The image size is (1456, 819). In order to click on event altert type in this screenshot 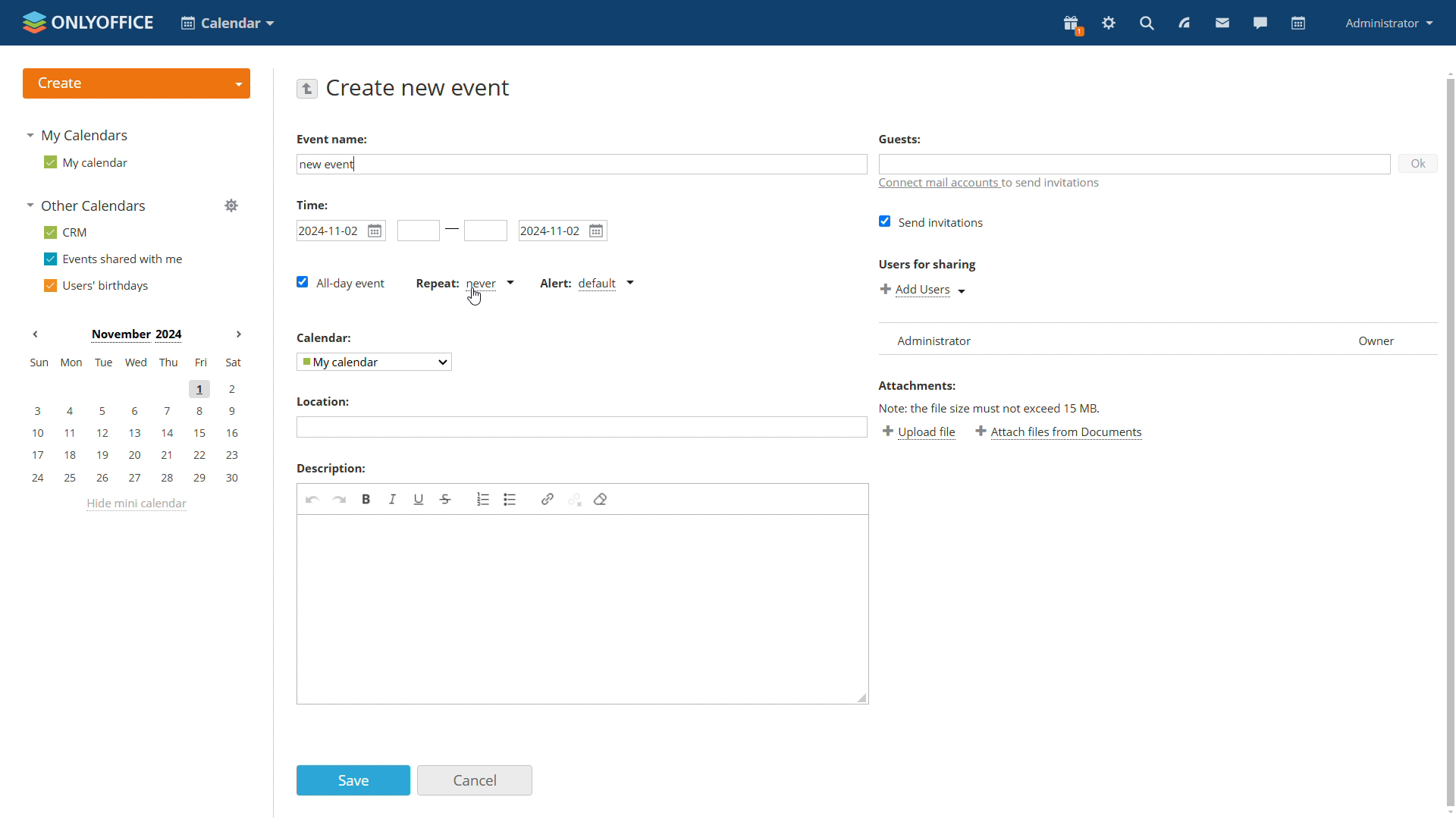, I will do `click(585, 285)`.